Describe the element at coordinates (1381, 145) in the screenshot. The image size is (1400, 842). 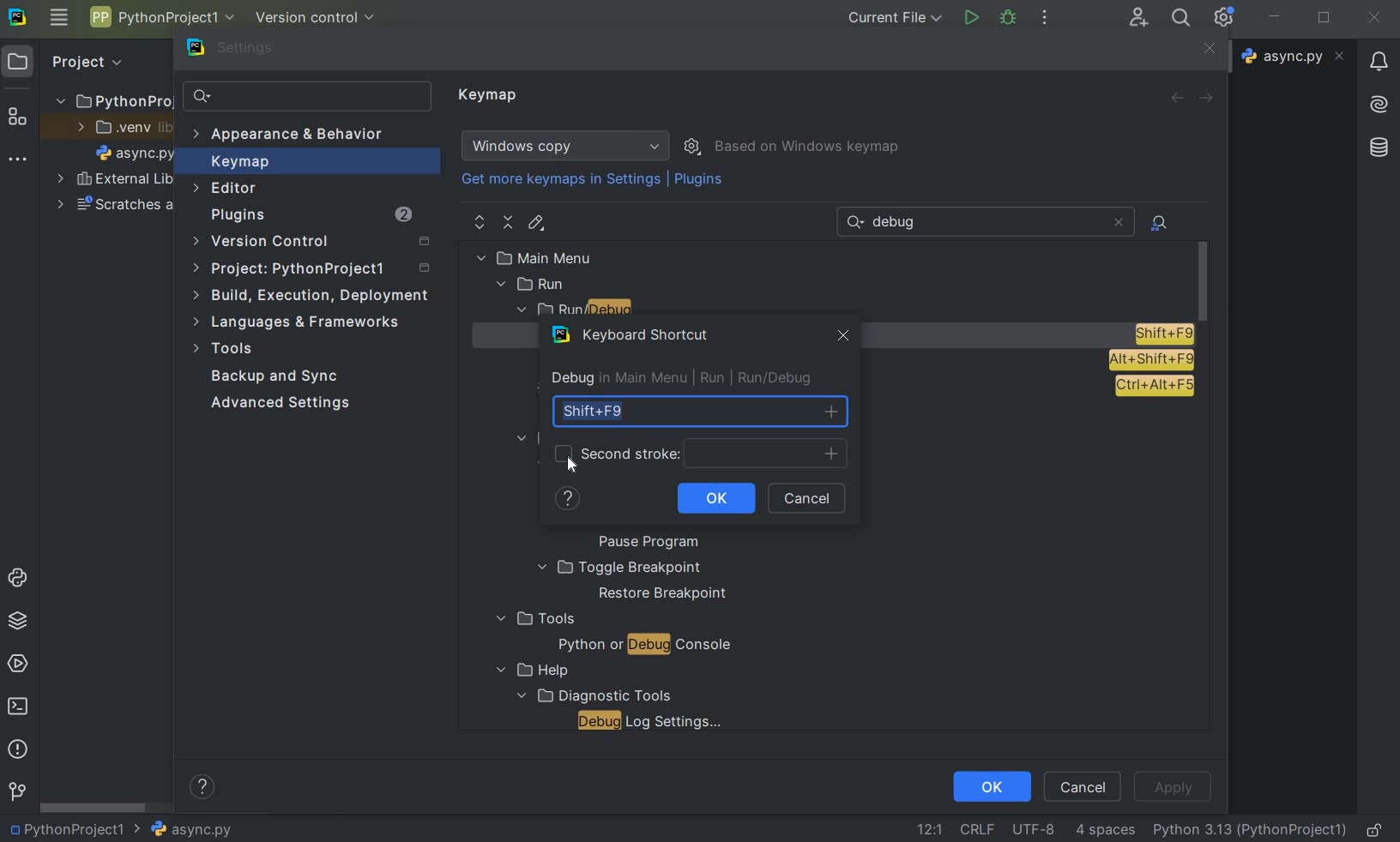
I see `database` at that location.